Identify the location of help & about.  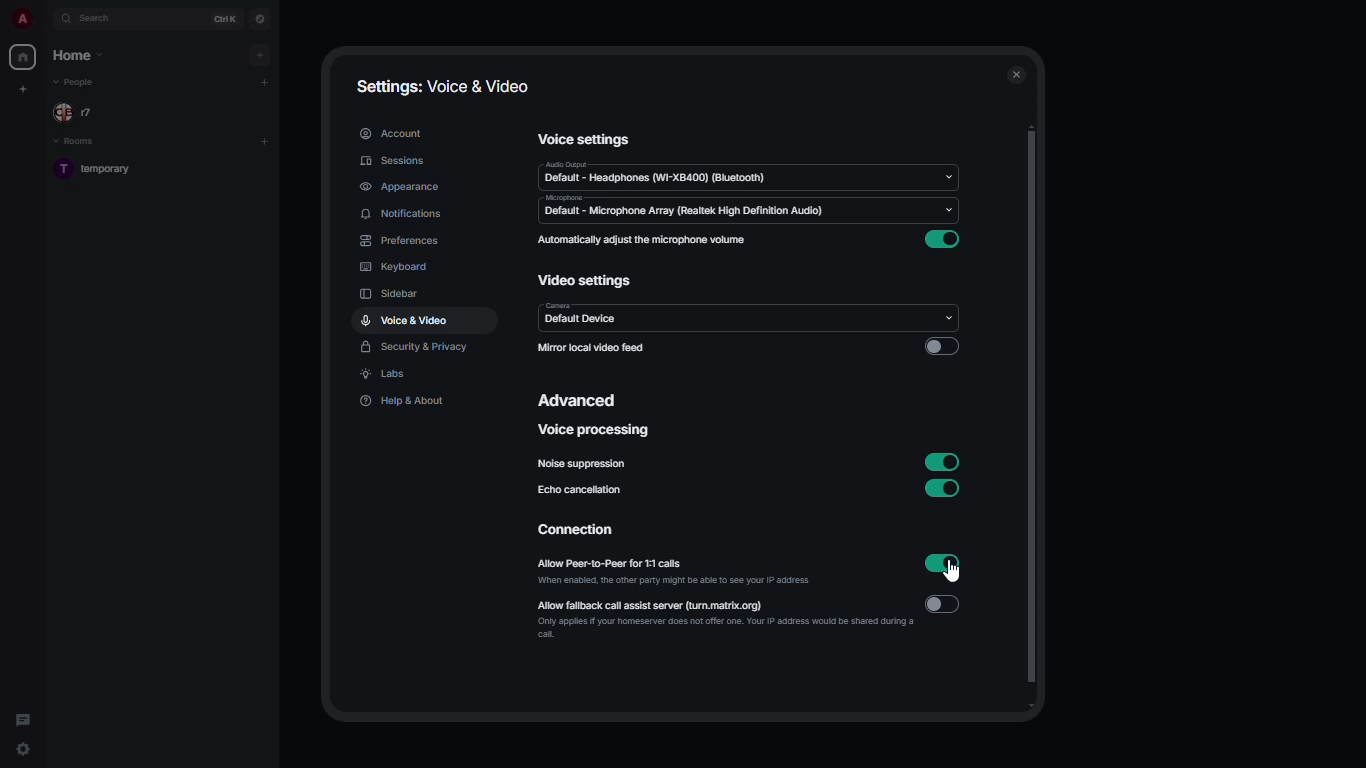
(403, 402).